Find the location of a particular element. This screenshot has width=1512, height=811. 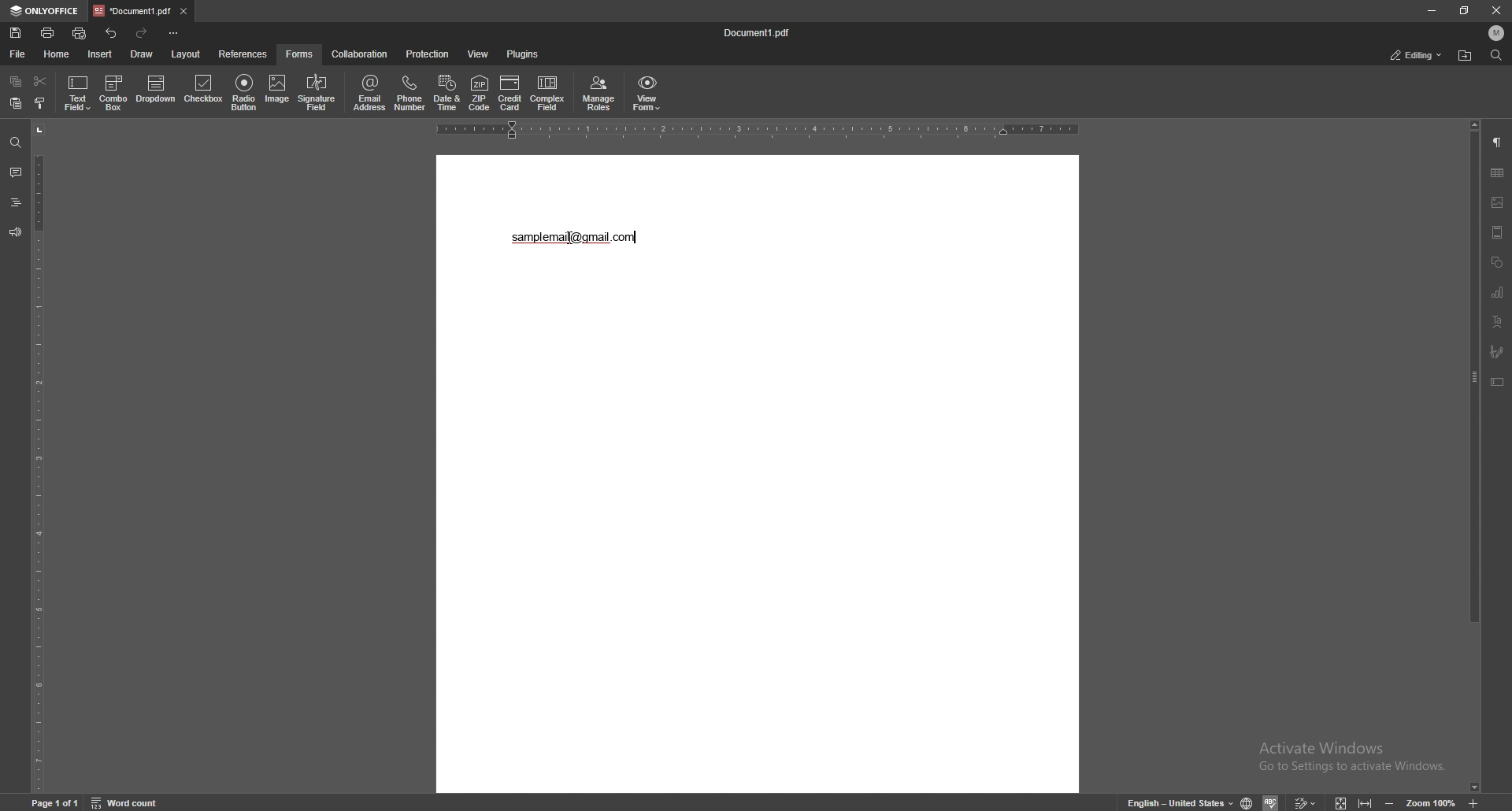

date and time is located at coordinates (447, 93).